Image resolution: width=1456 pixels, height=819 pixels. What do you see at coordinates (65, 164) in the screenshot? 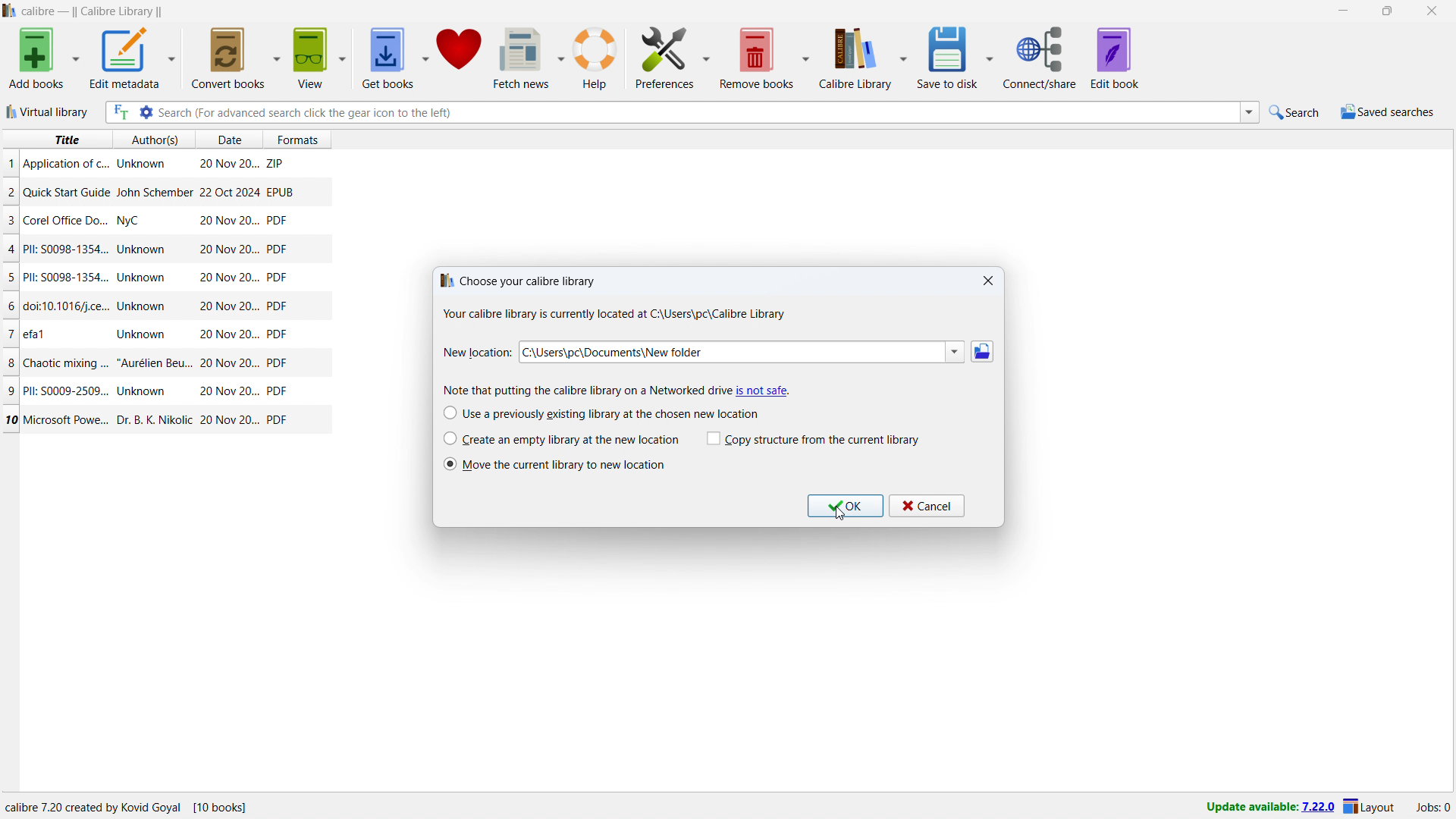
I see `Title` at bounding box center [65, 164].